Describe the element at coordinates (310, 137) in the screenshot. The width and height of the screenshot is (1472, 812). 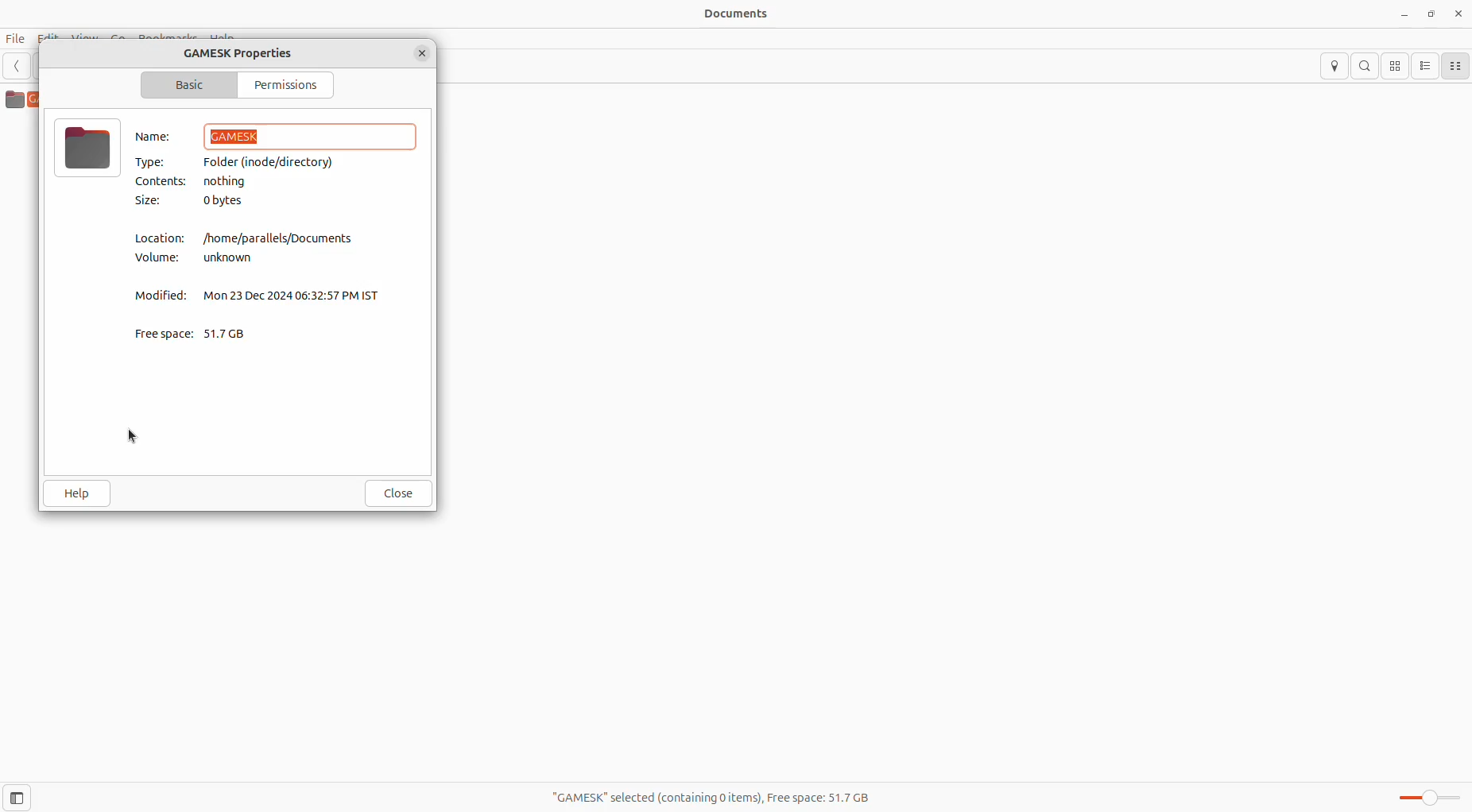
I see `GAMESK` at that location.